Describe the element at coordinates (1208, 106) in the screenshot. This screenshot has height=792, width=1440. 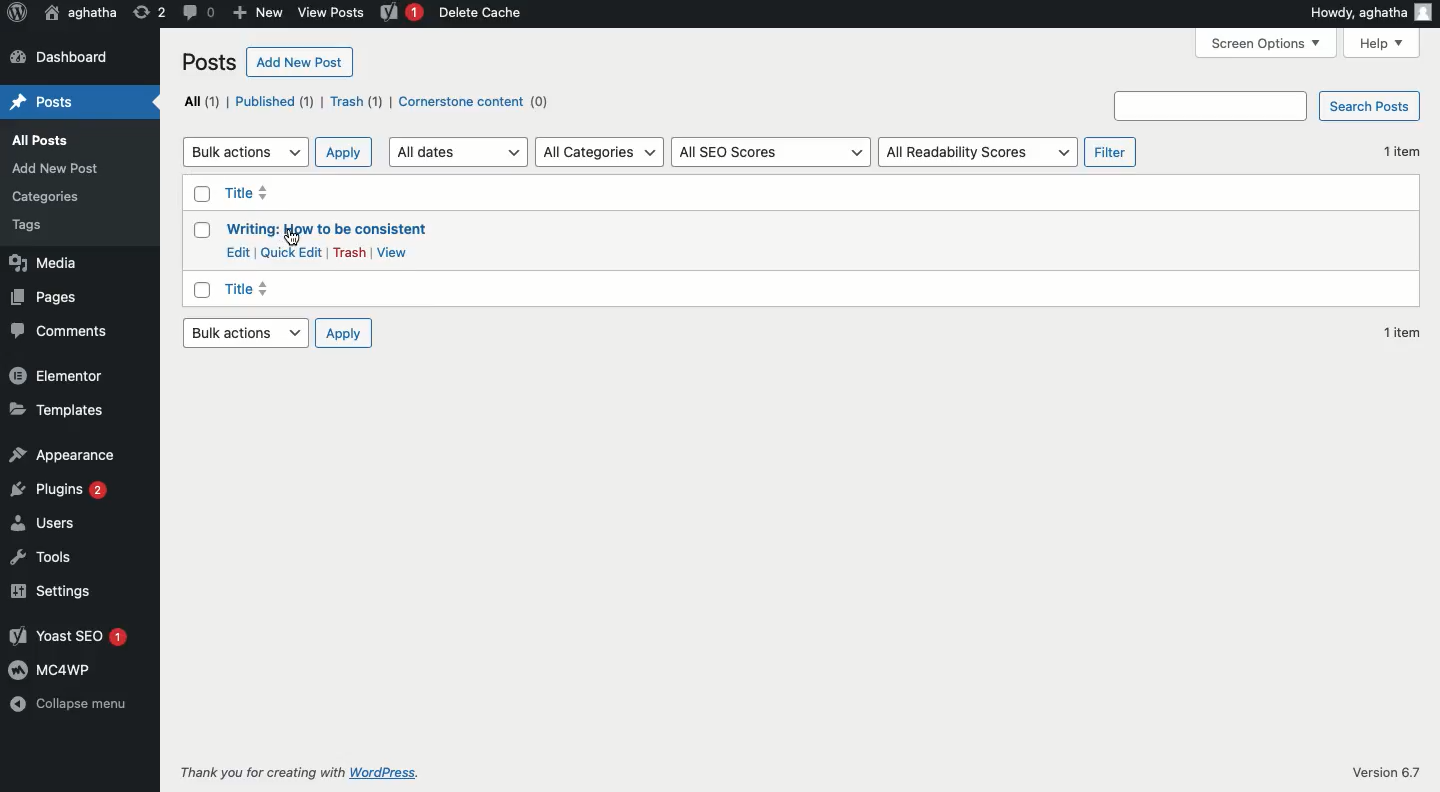
I see `search posts ` at that location.